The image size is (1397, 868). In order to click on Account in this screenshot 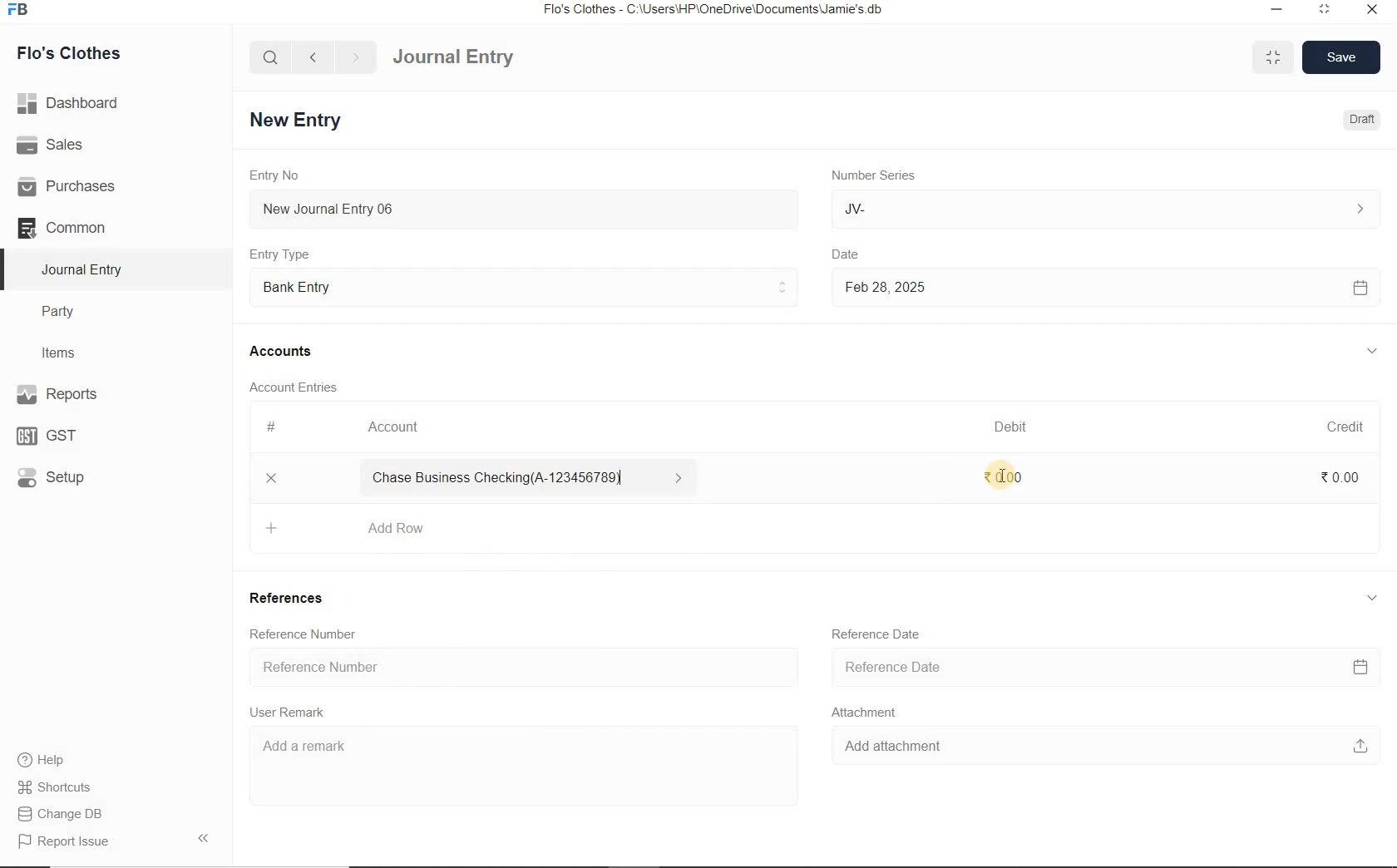, I will do `click(398, 427)`.